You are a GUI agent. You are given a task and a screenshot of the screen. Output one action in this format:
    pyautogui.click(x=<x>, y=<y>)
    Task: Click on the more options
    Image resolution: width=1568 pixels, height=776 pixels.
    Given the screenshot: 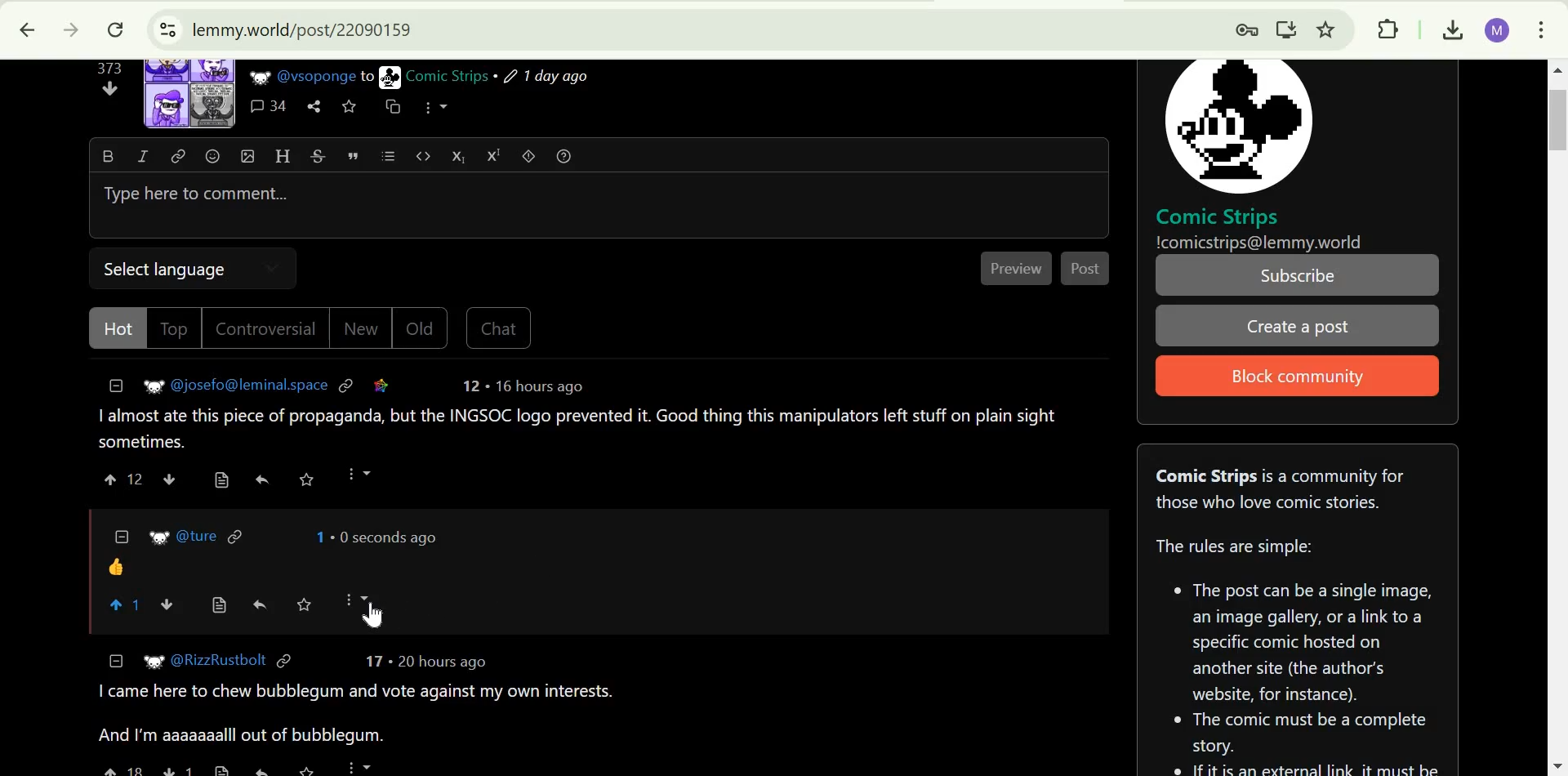 What is the action you would take?
    pyautogui.click(x=435, y=106)
    